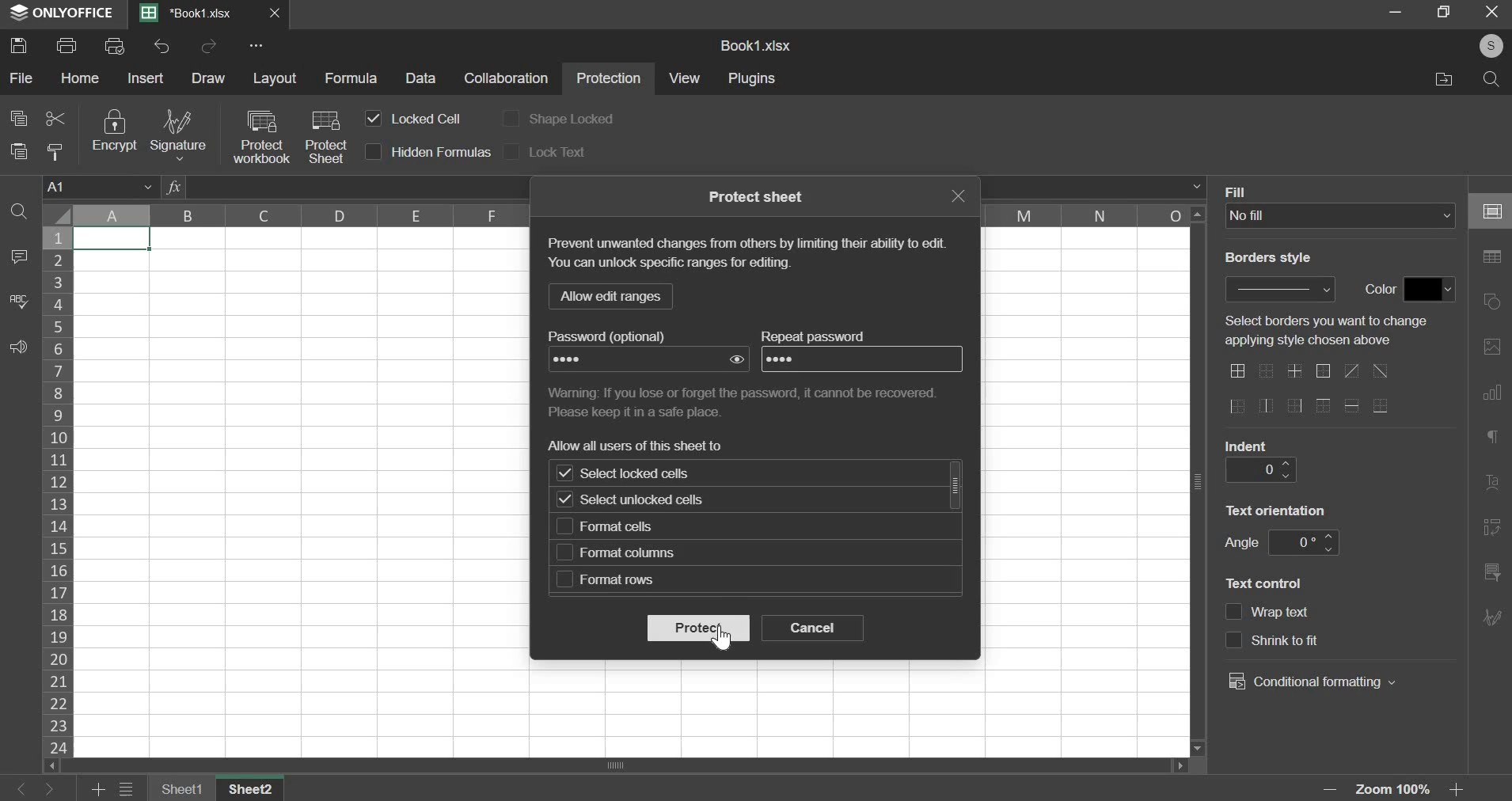  I want to click on more, so click(259, 45).